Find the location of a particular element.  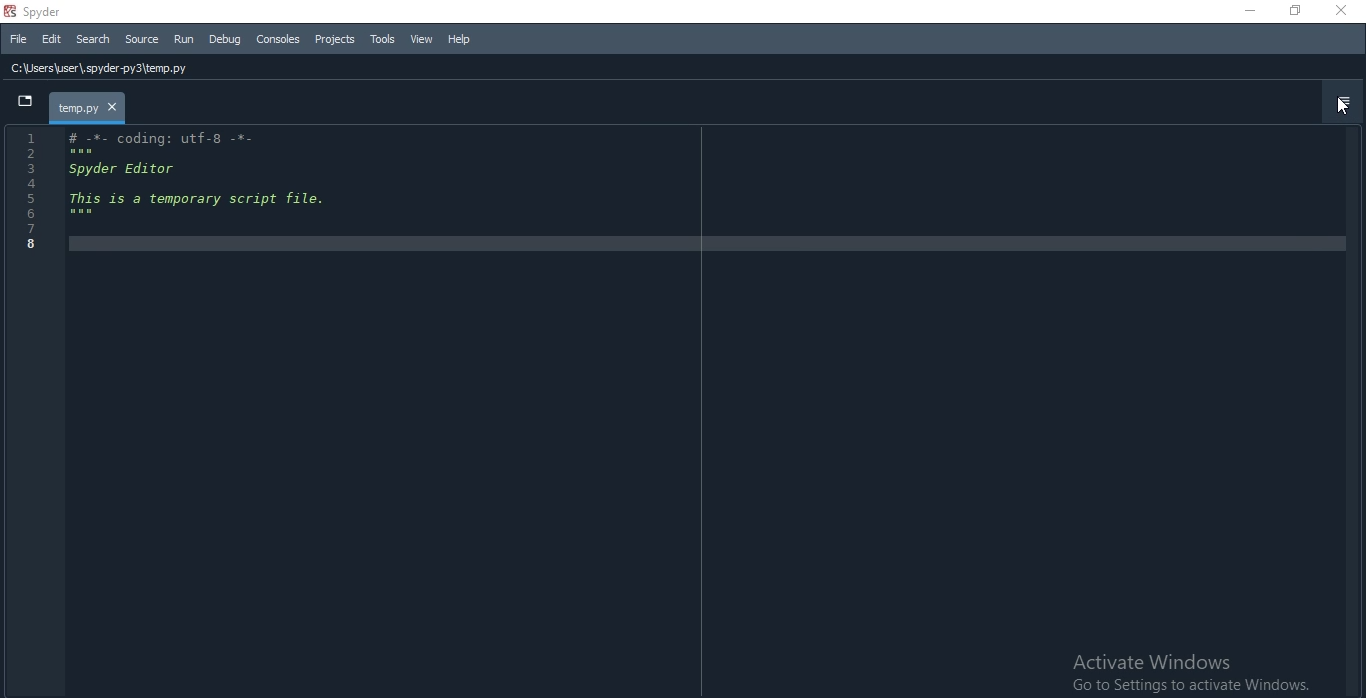

Close is located at coordinates (1344, 10).